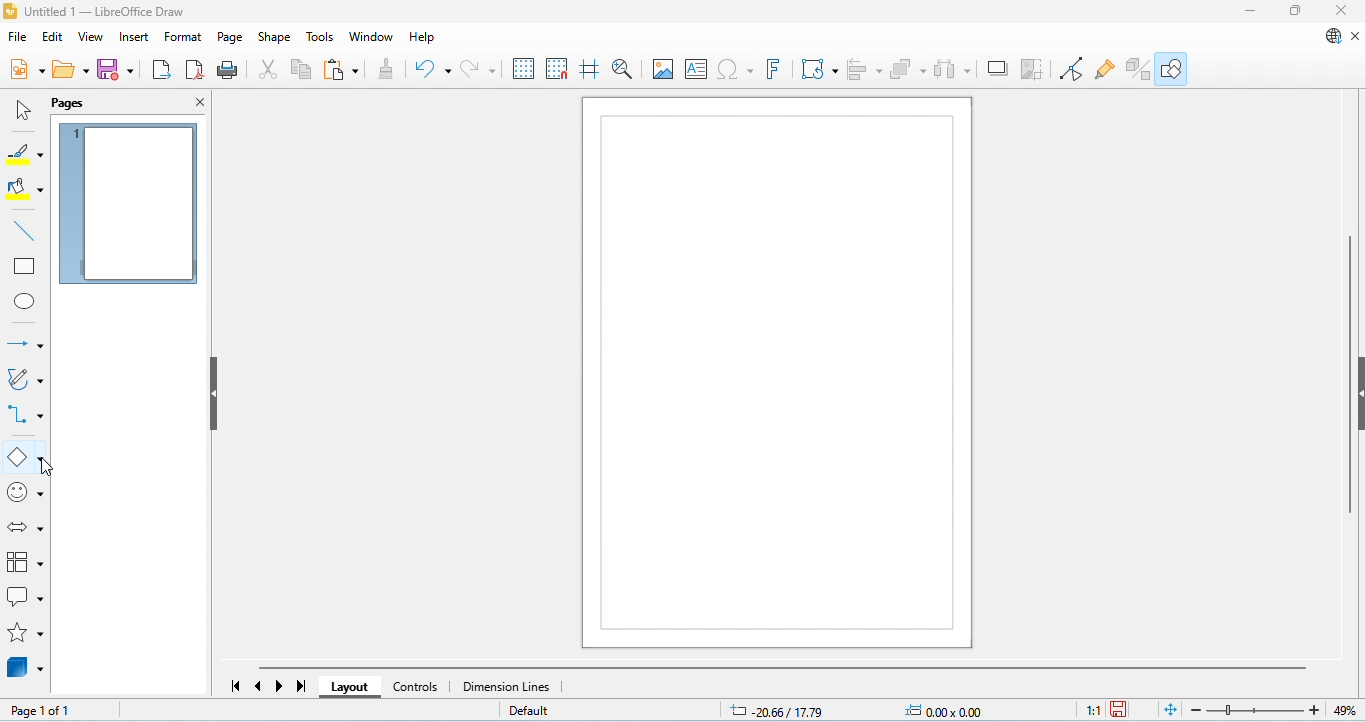 The height and width of the screenshot is (722, 1366). I want to click on clone, so click(387, 68).